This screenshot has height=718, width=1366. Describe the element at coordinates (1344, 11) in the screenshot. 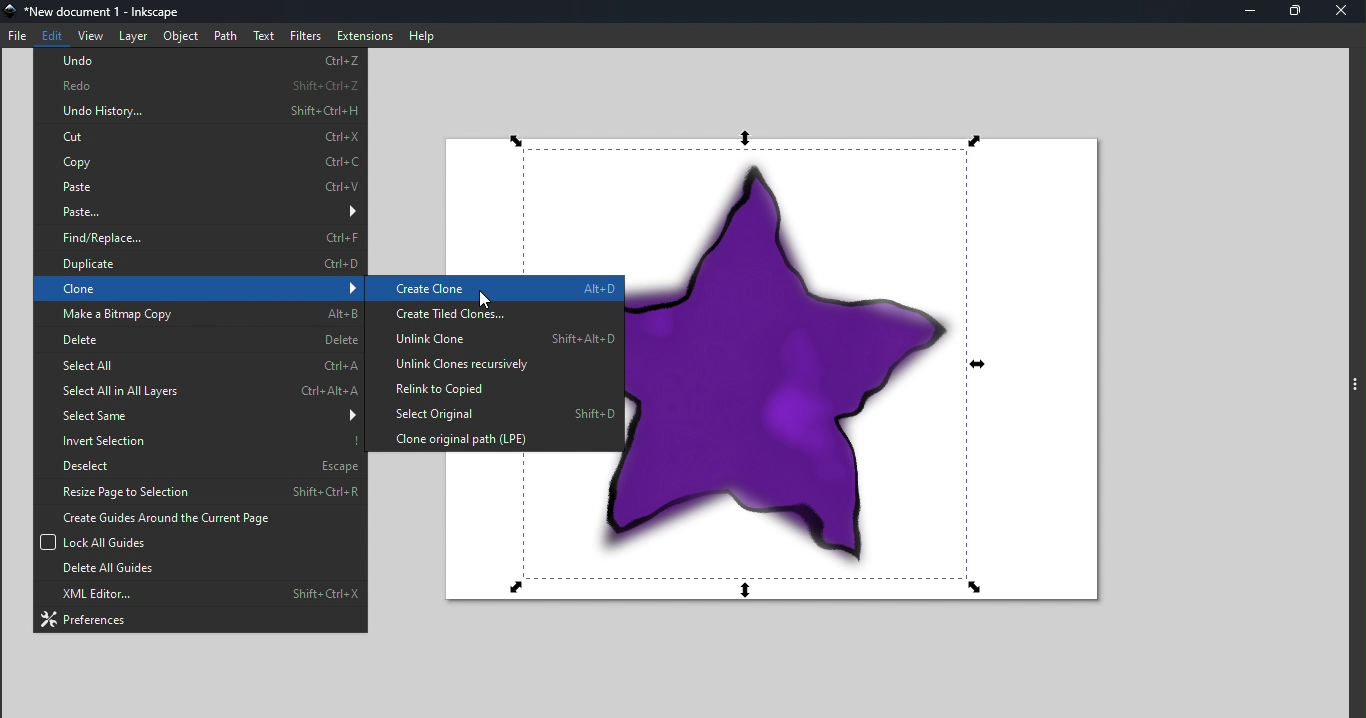

I see `Close` at that location.